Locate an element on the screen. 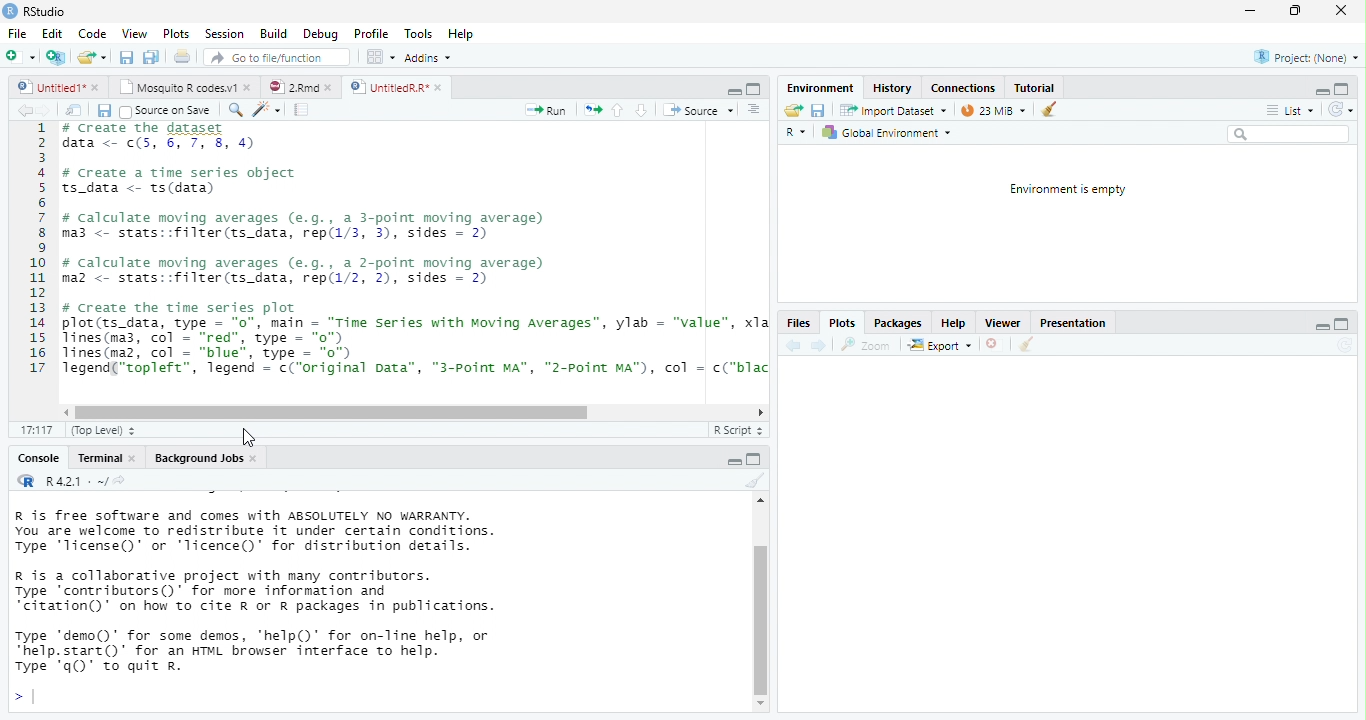  Presentation is located at coordinates (1071, 325).